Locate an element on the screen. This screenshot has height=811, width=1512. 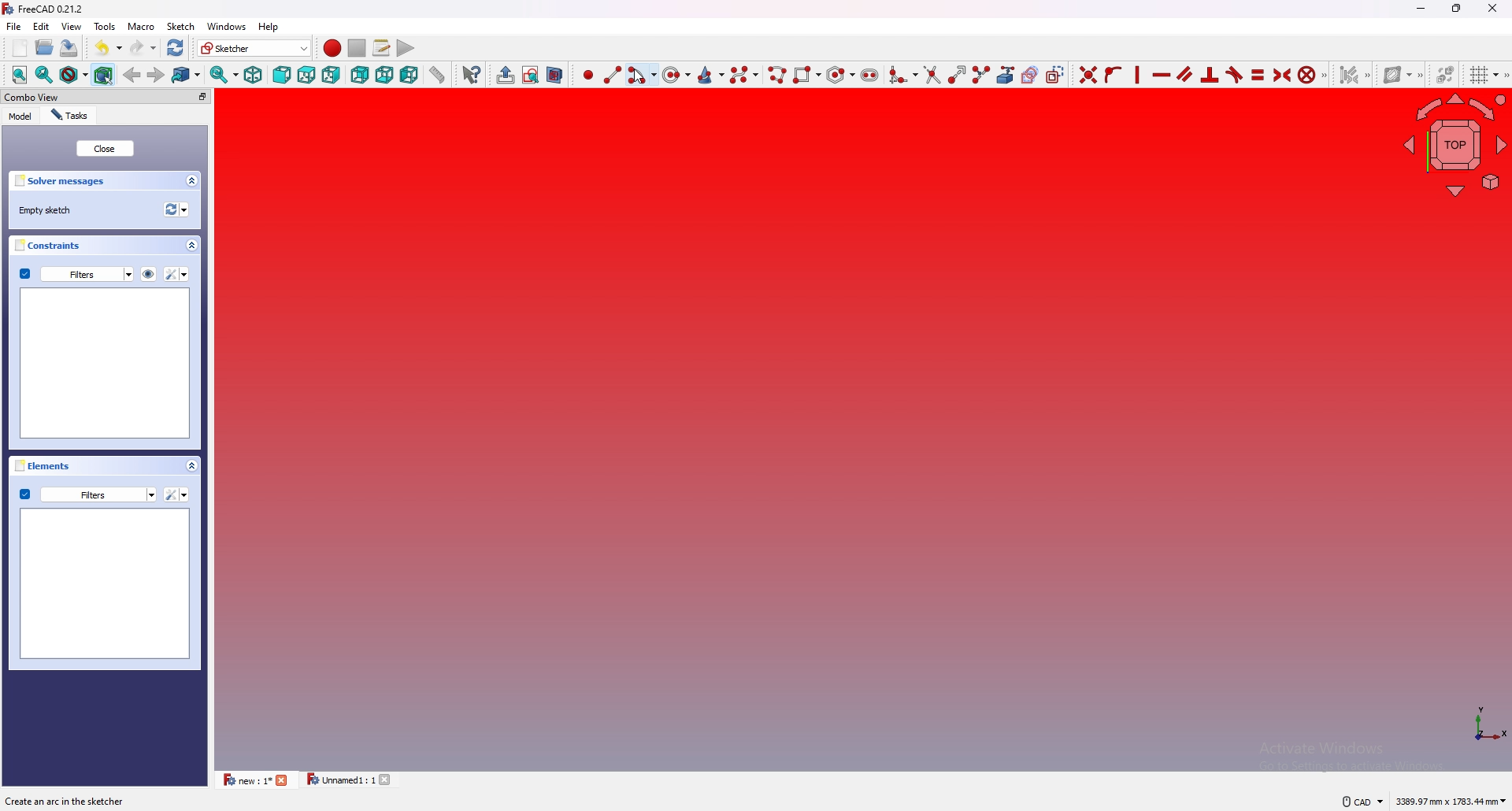
draw style is located at coordinates (73, 74).